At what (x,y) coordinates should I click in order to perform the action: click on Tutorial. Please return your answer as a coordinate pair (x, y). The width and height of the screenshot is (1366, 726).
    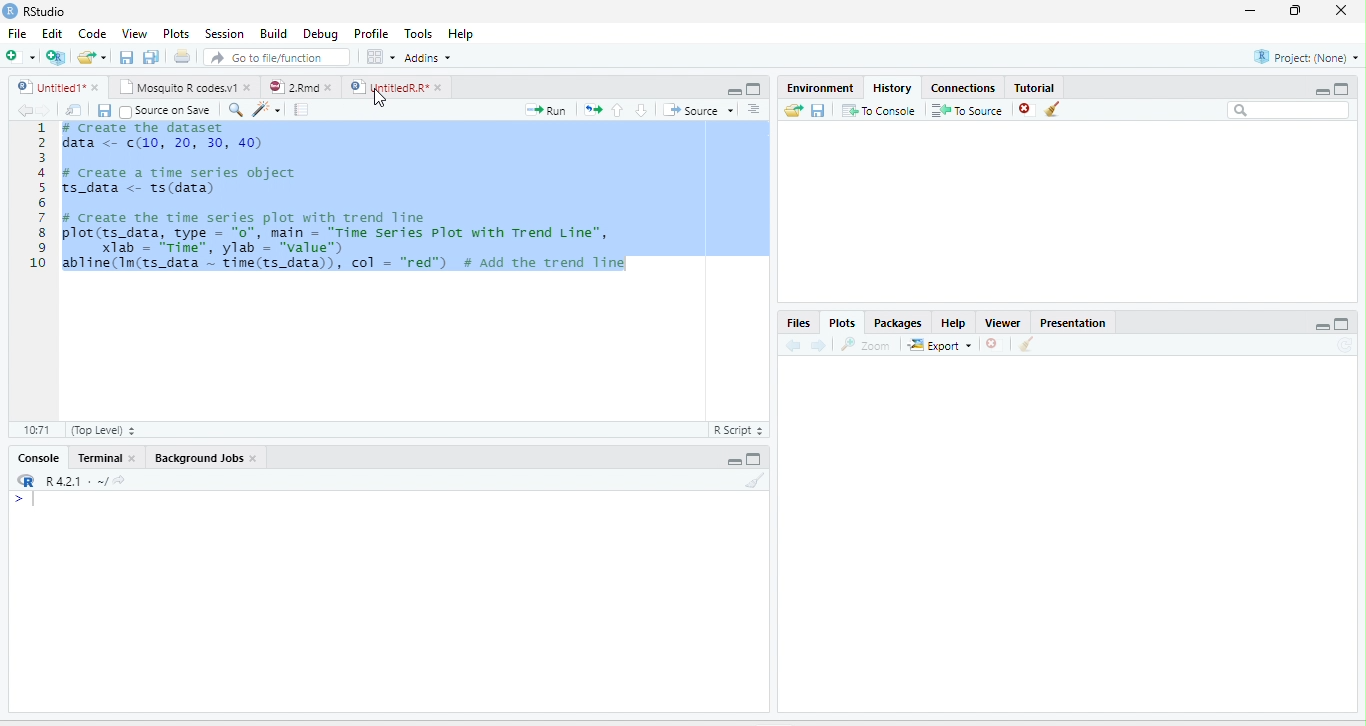
    Looking at the image, I should click on (1036, 87).